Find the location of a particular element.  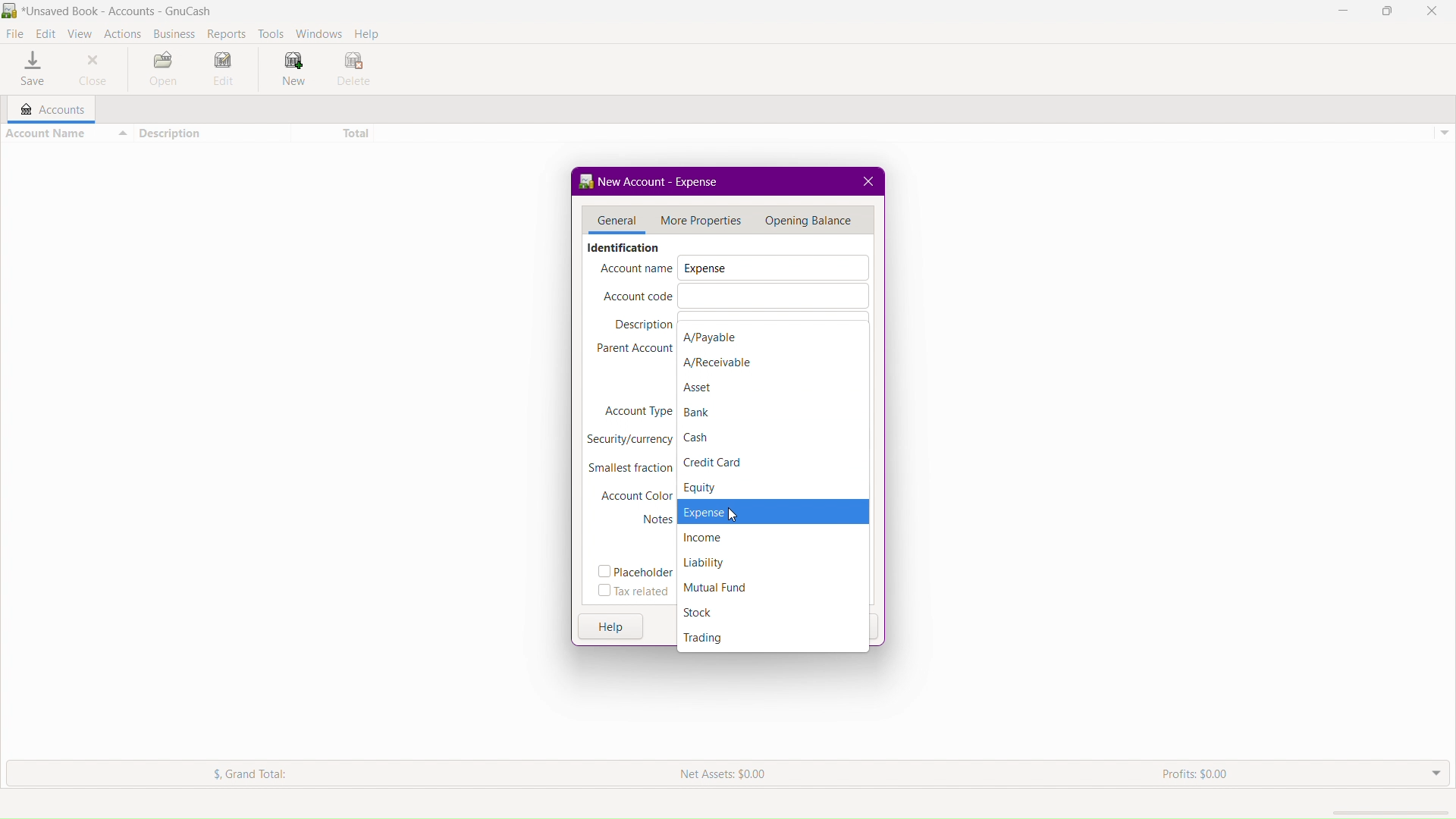

close is located at coordinates (871, 179).